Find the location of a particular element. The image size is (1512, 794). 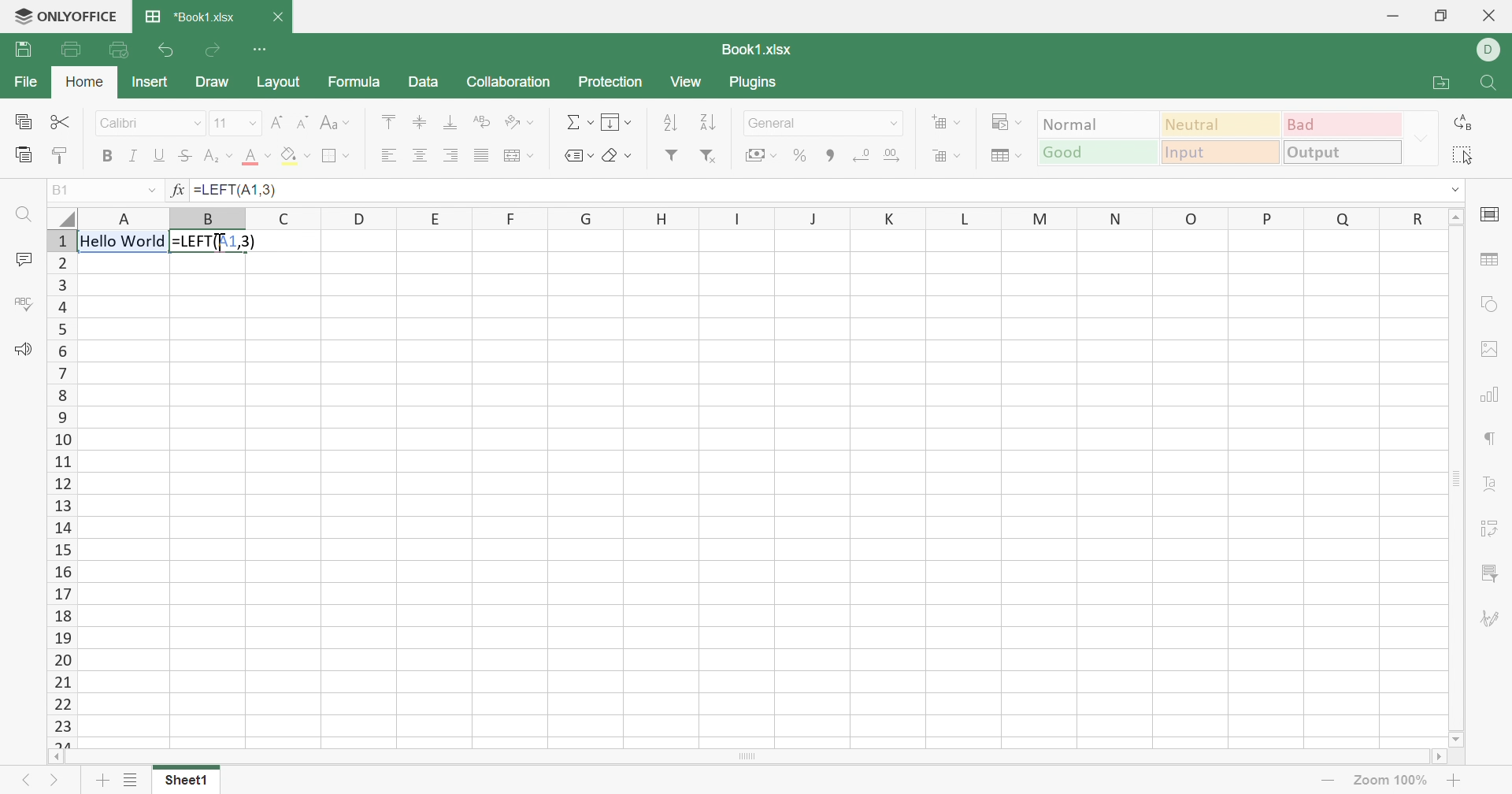

Data is located at coordinates (423, 82).